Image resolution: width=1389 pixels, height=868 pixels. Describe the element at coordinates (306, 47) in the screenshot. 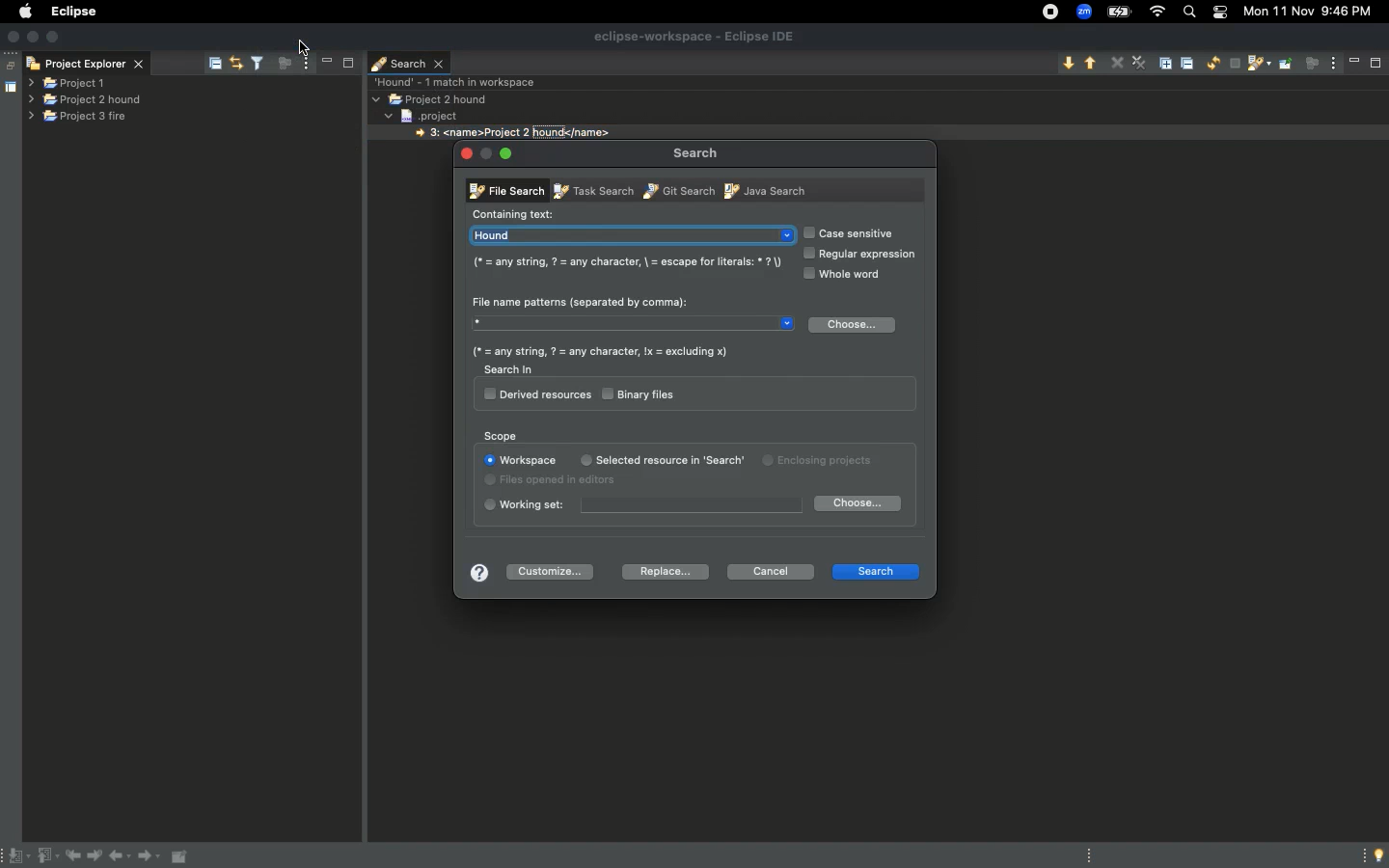

I see `cursor` at that location.